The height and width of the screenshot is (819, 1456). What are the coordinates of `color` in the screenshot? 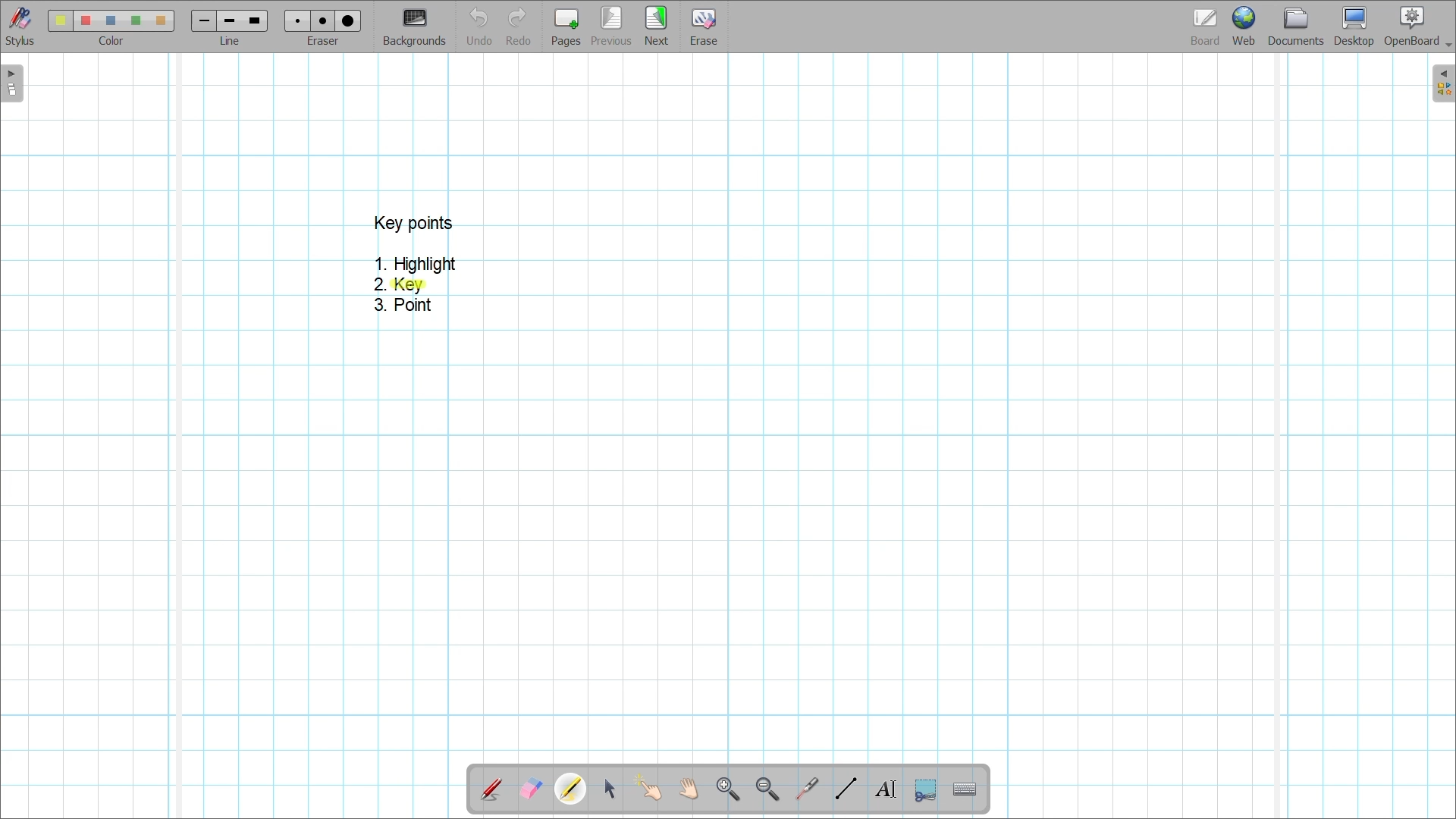 It's located at (108, 41).